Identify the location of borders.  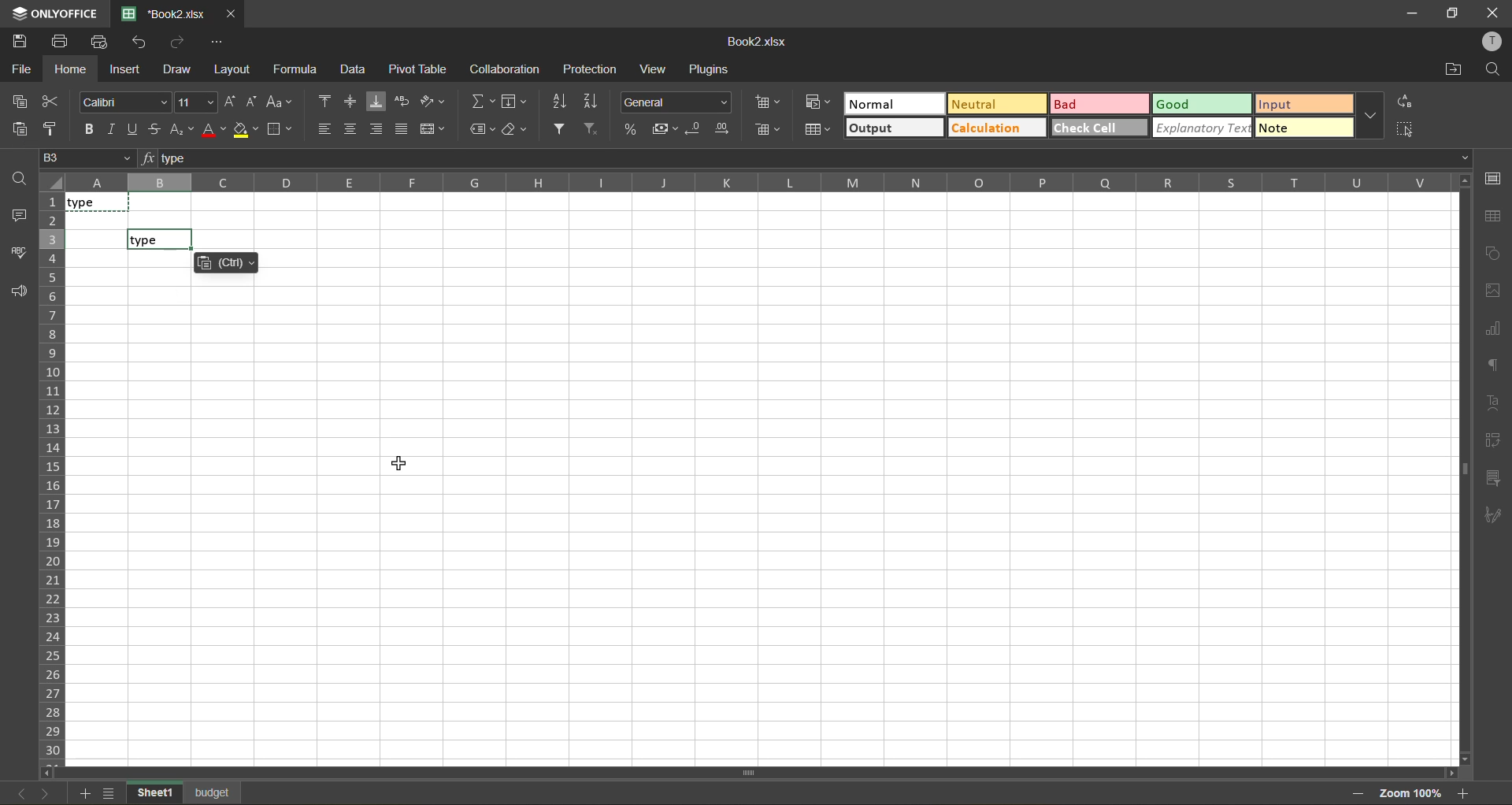
(279, 129).